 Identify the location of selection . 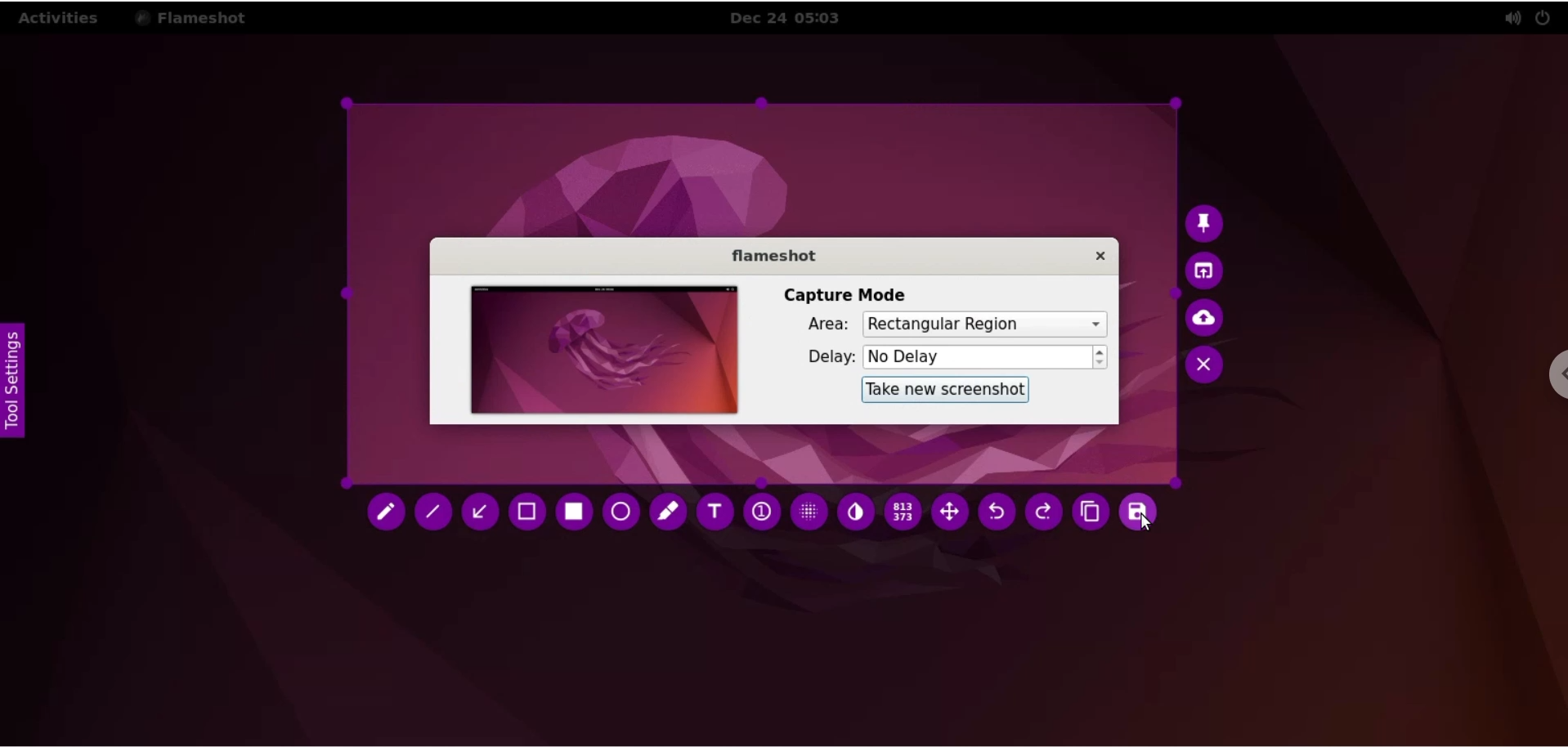
(526, 512).